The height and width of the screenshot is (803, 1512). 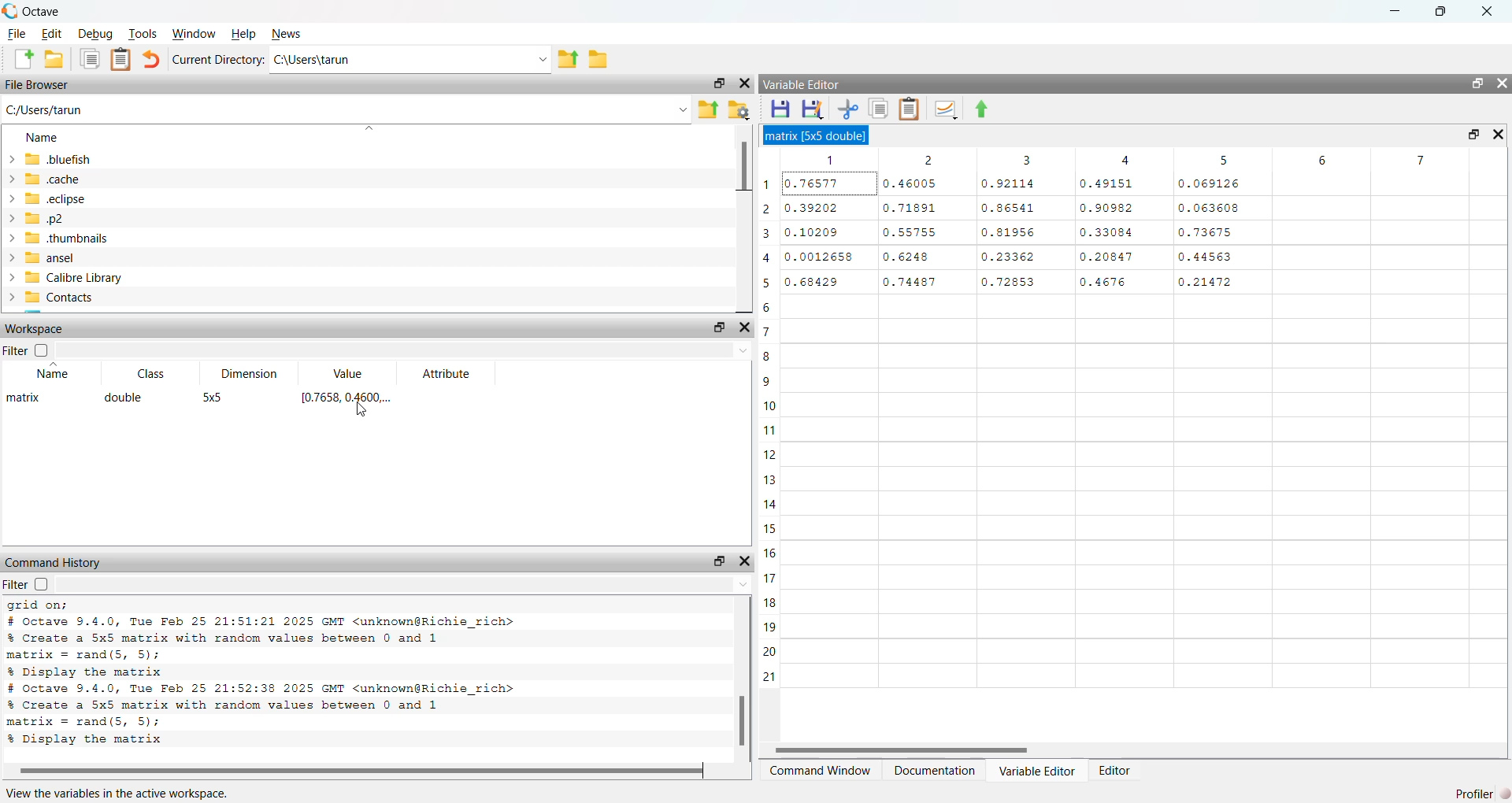 I want to click on copy, so click(x=881, y=109).